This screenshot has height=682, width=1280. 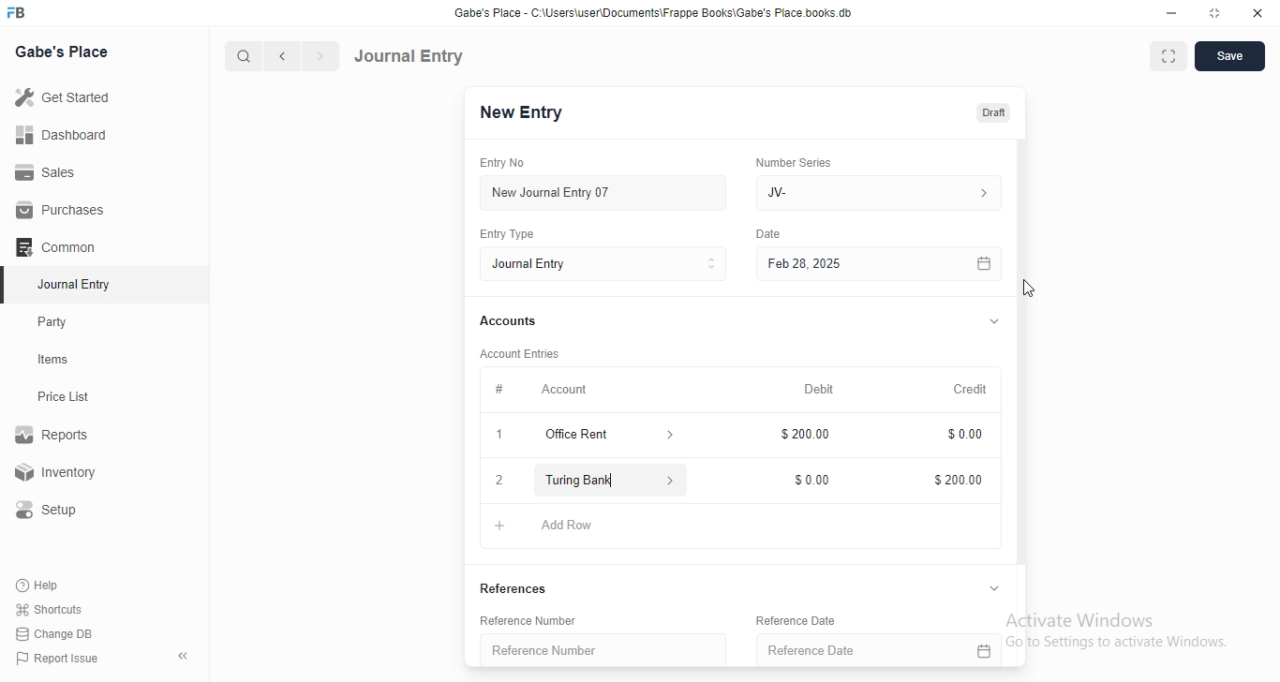 What do you see at coordinates (538, 390) in the screenshot?
I see `# Account` at bounding box center [538, 390].